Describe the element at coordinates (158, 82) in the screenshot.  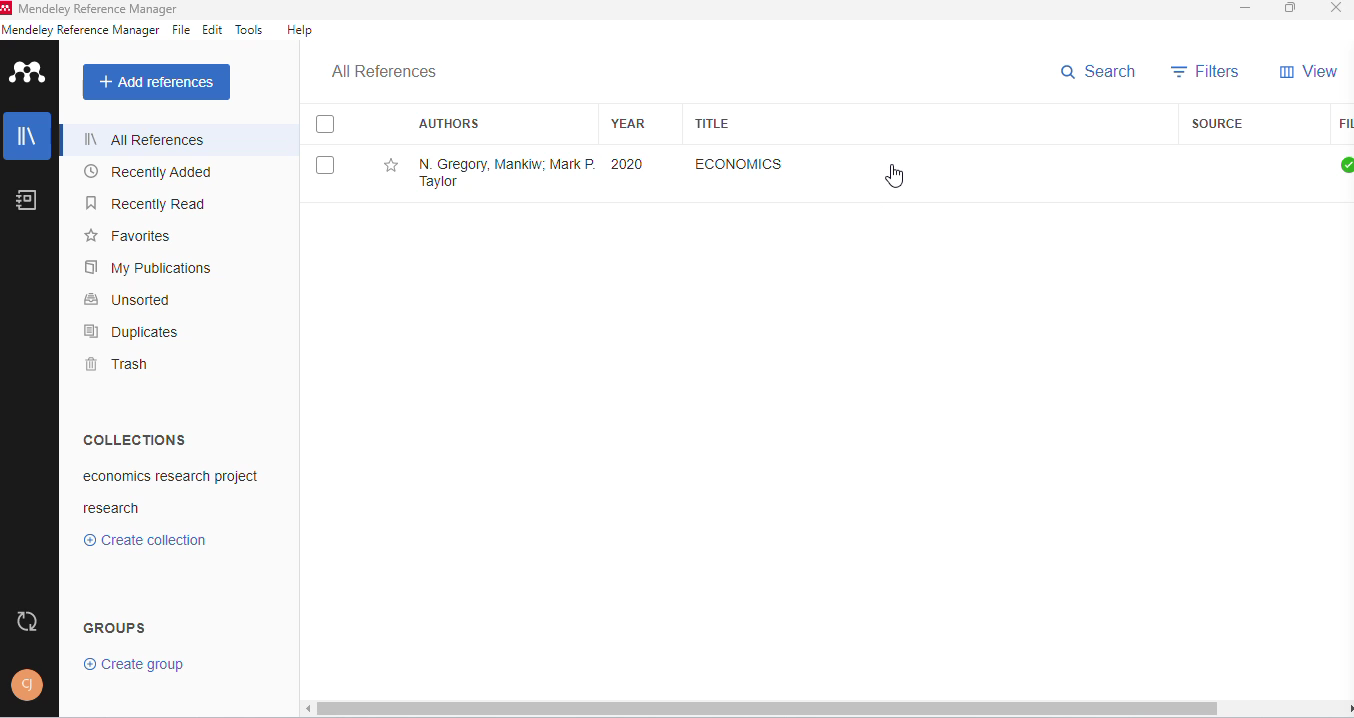
I see `add references` at that location.